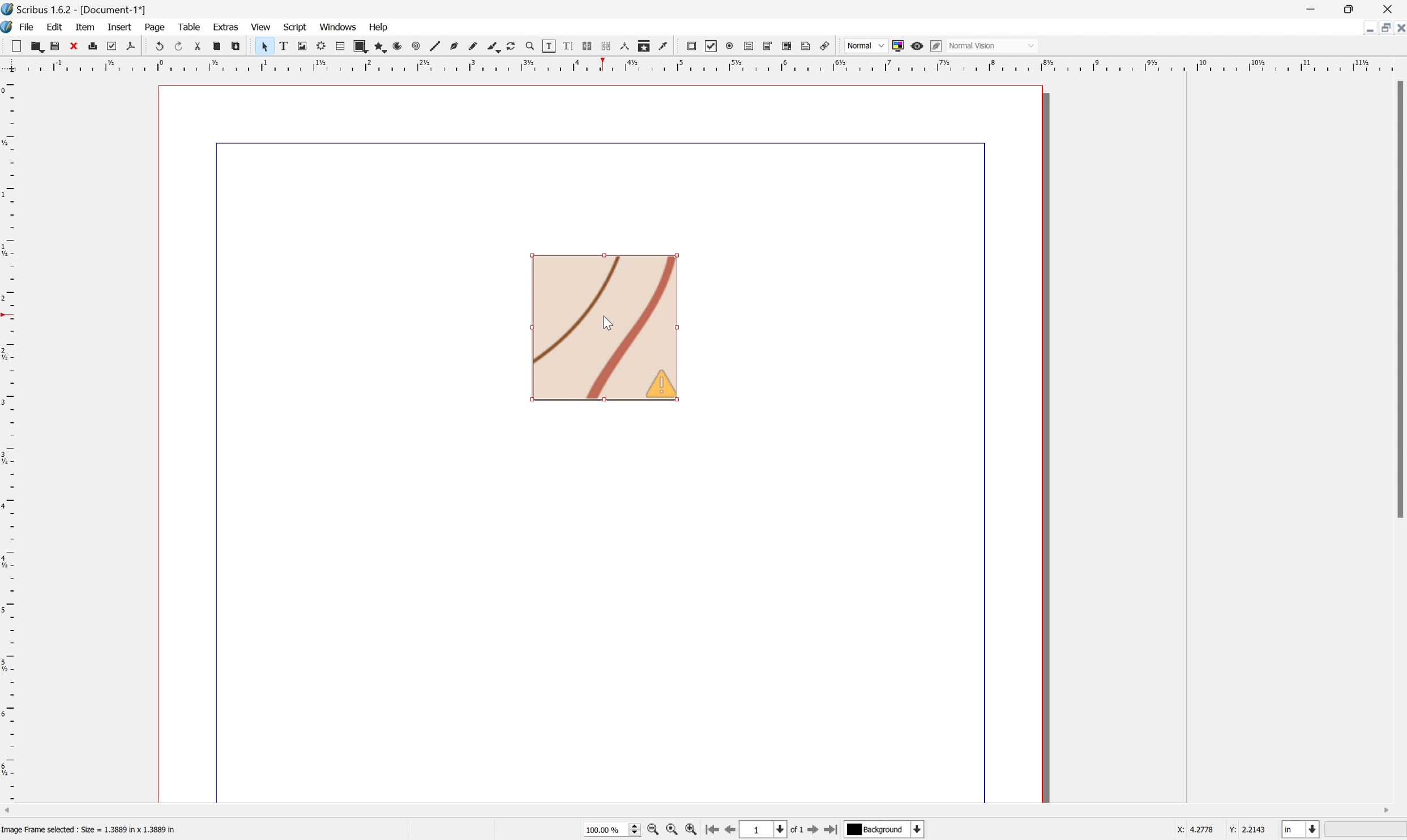 This screenshot has height=840, width=1407. I want to click on Select item, so click(263, 46).